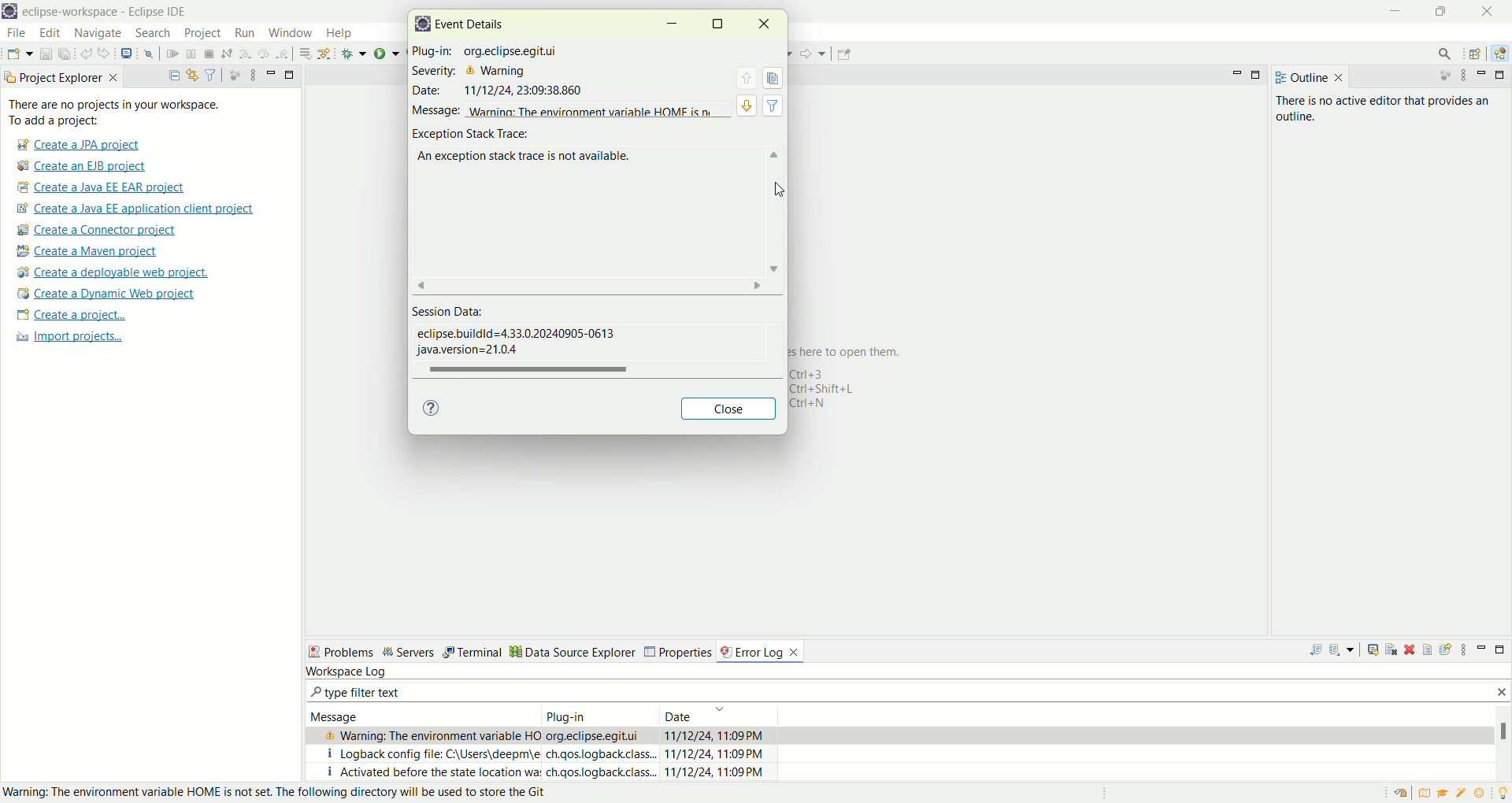 This screenshot has width=1512, height=803. I want to click on Message, so click(337, 714).